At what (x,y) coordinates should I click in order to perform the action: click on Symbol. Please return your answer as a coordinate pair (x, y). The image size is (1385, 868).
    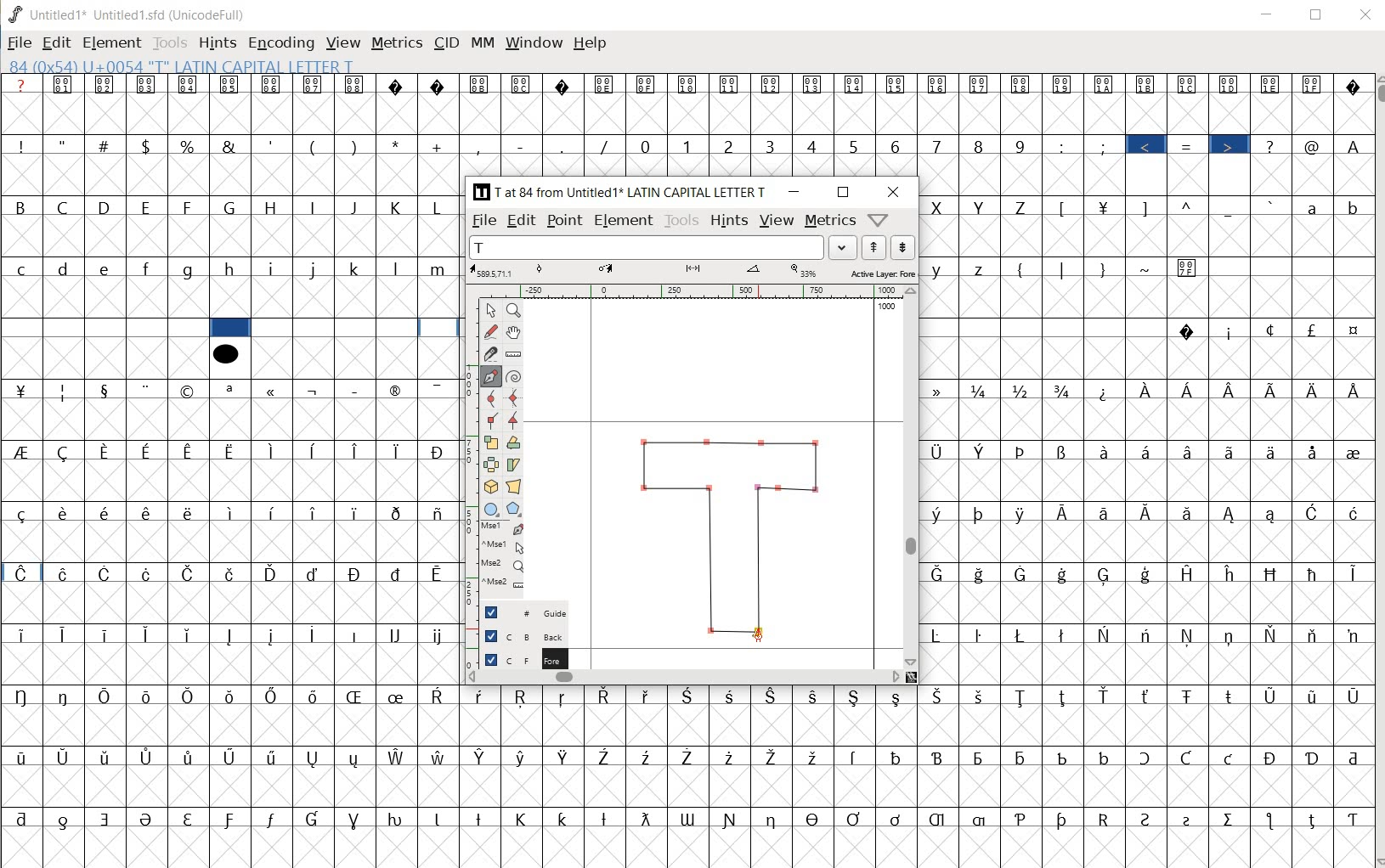
    Looking at the image, I should click on (482, 85).